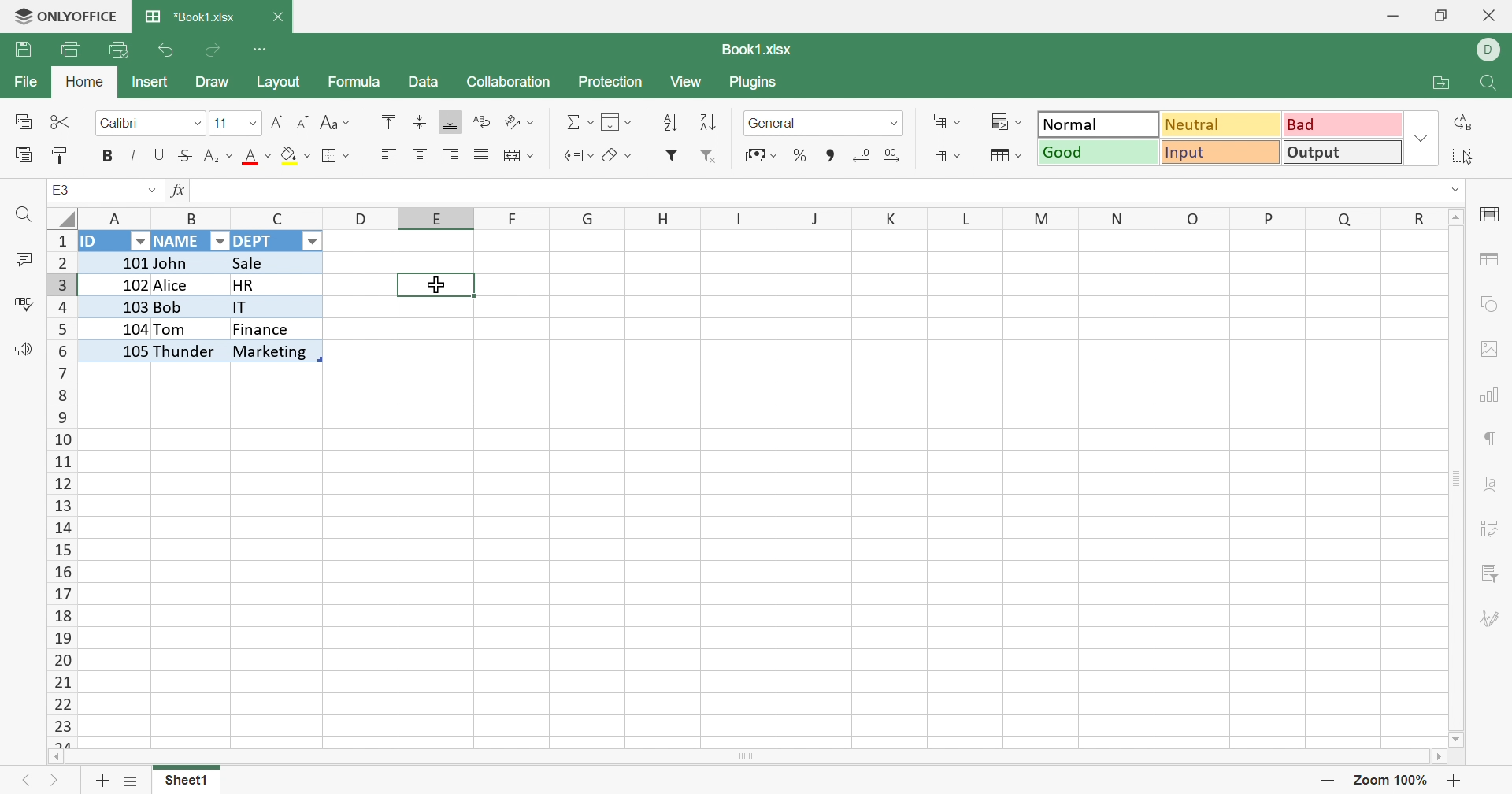  Describe the element at coordinates (67, 17) in the screenshot. I see `ONLYOFFICE` at that location.